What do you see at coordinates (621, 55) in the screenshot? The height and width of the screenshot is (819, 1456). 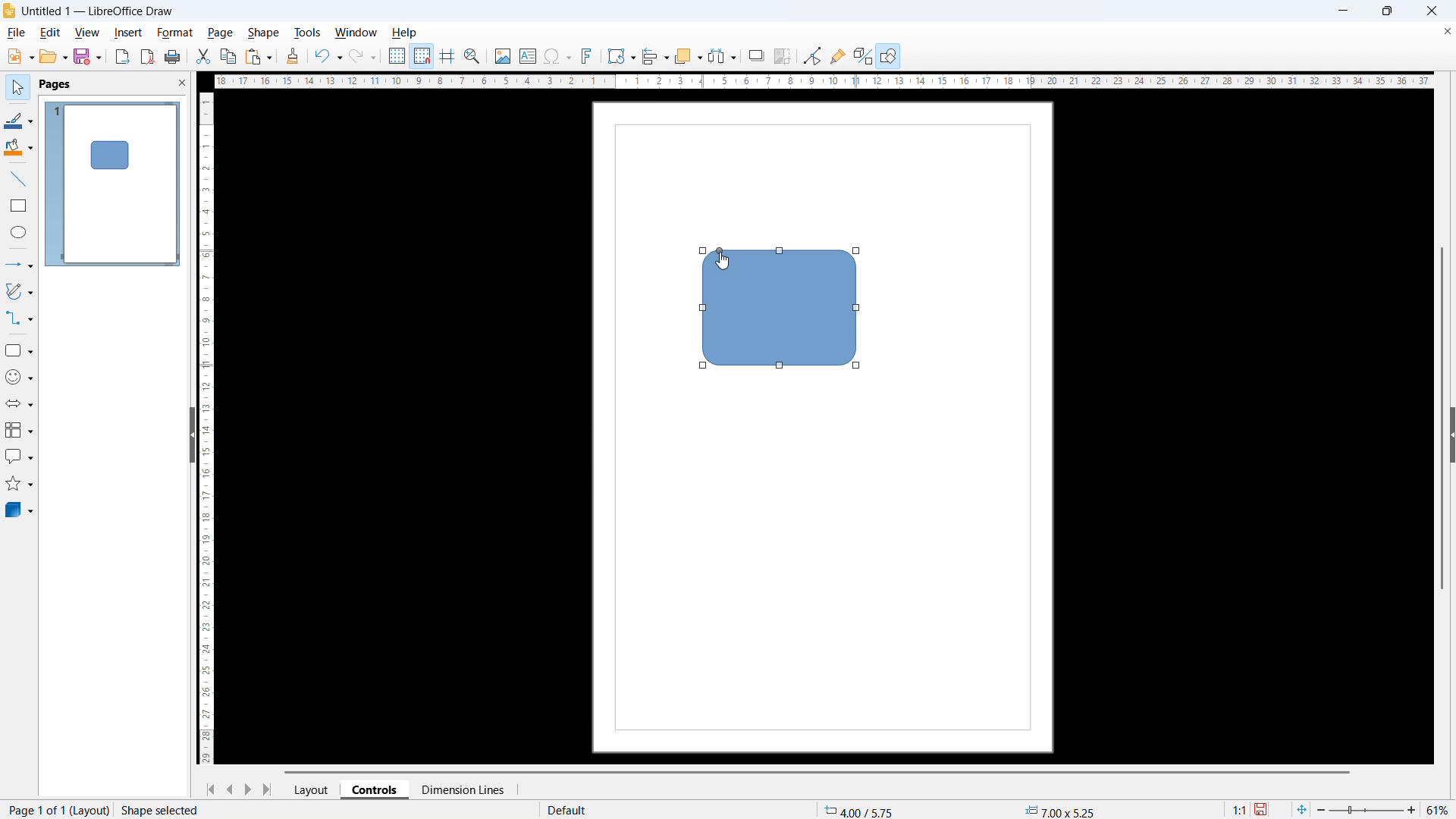 I see `Transformations ` at bounding box center [621, 55].